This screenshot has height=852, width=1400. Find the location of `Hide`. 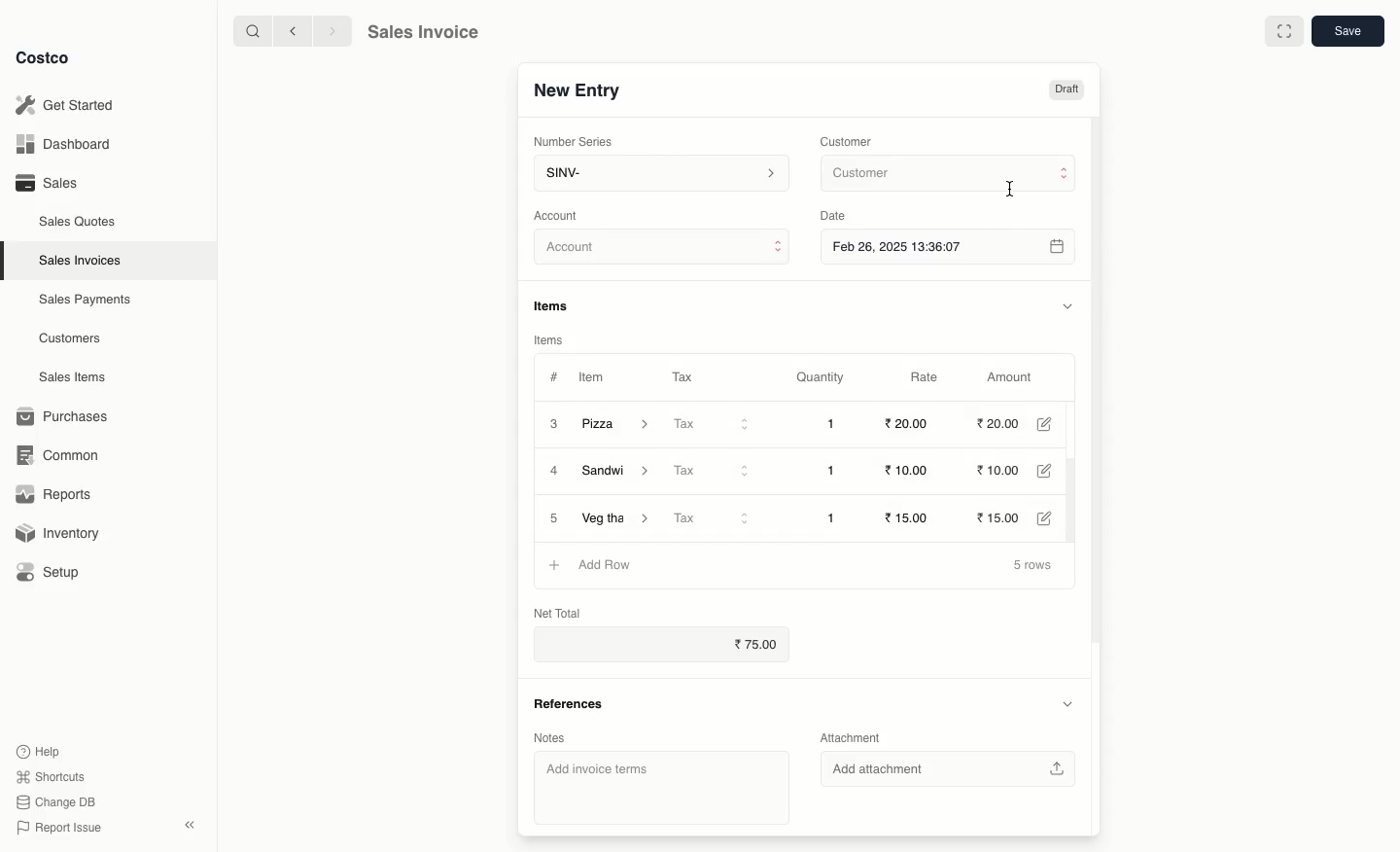

Hide is located at coordinates (1067, 305).